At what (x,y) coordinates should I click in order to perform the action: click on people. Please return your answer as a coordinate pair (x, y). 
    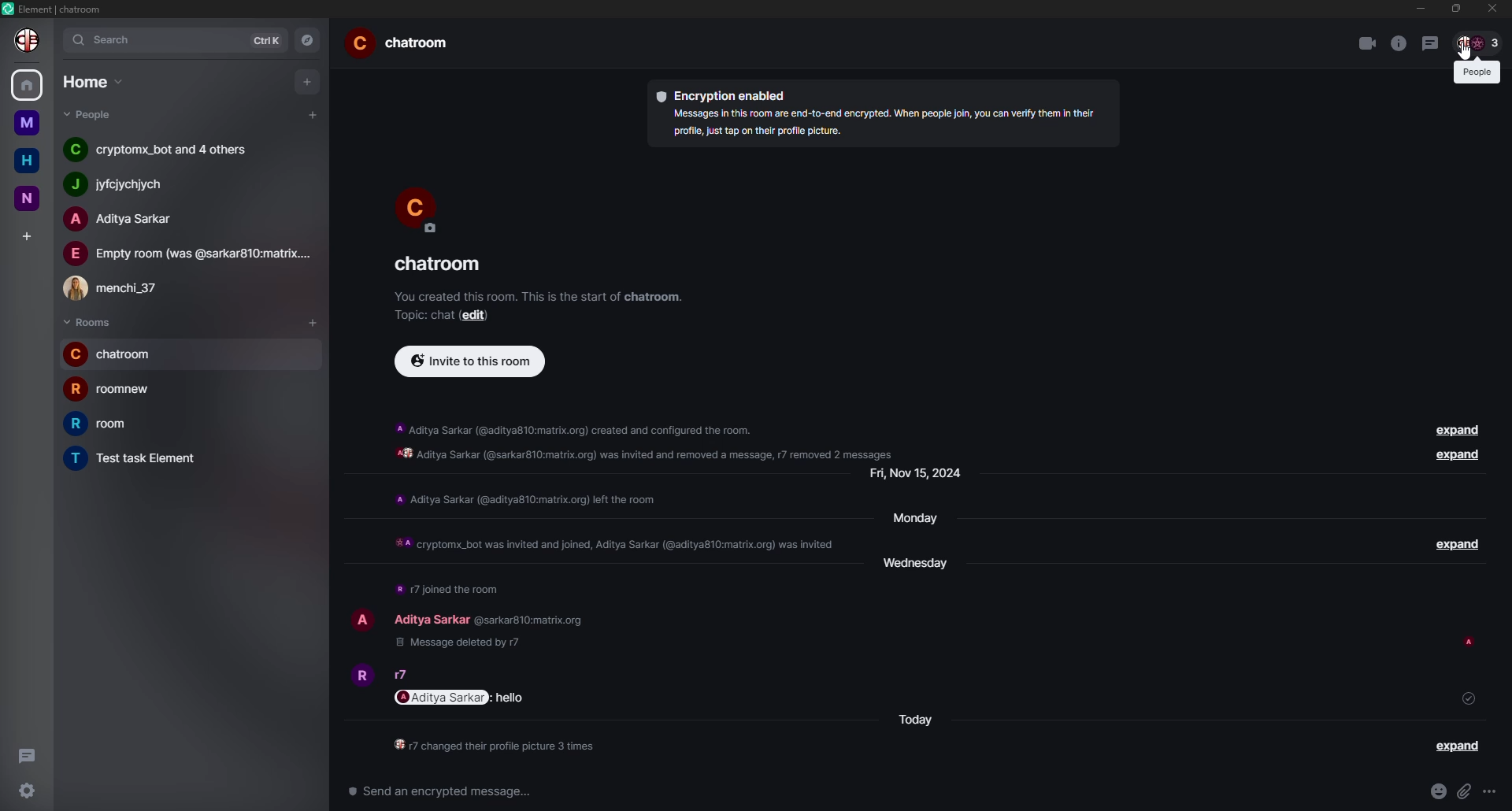
    Looking at the image, I should click on (431, 619).